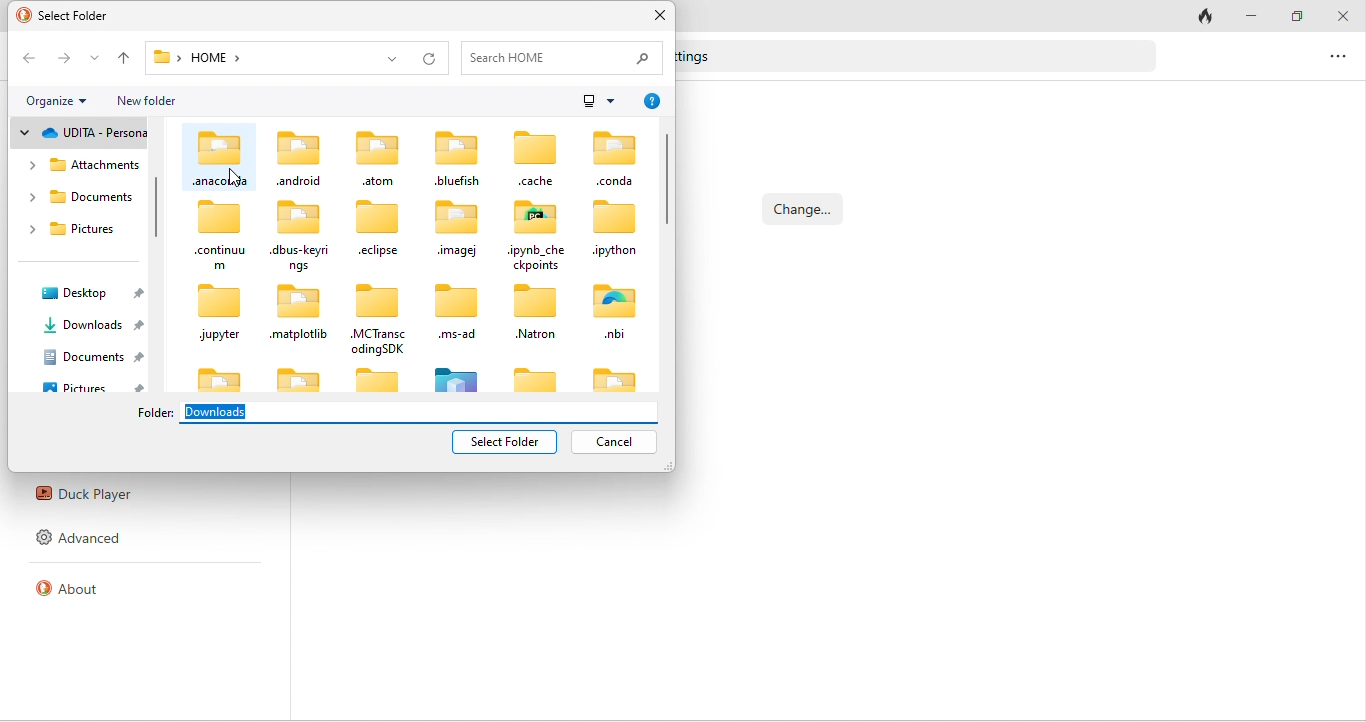 The image size is (1366, 722). What do you see at coordinates (612, 442) in the screenshot?
I see `cancel` at bounding box center [612, 442].